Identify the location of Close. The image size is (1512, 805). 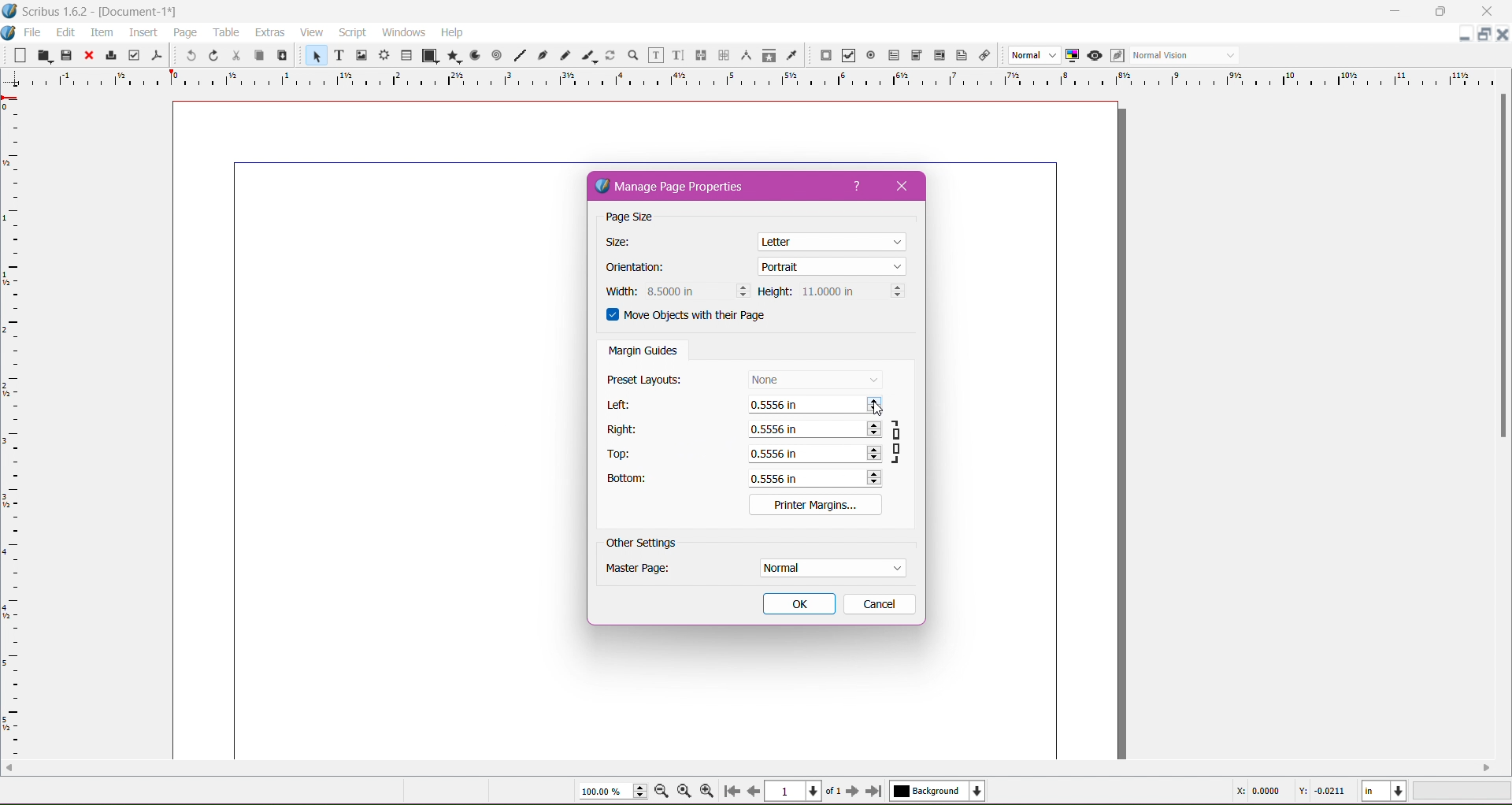
(1481, 12).